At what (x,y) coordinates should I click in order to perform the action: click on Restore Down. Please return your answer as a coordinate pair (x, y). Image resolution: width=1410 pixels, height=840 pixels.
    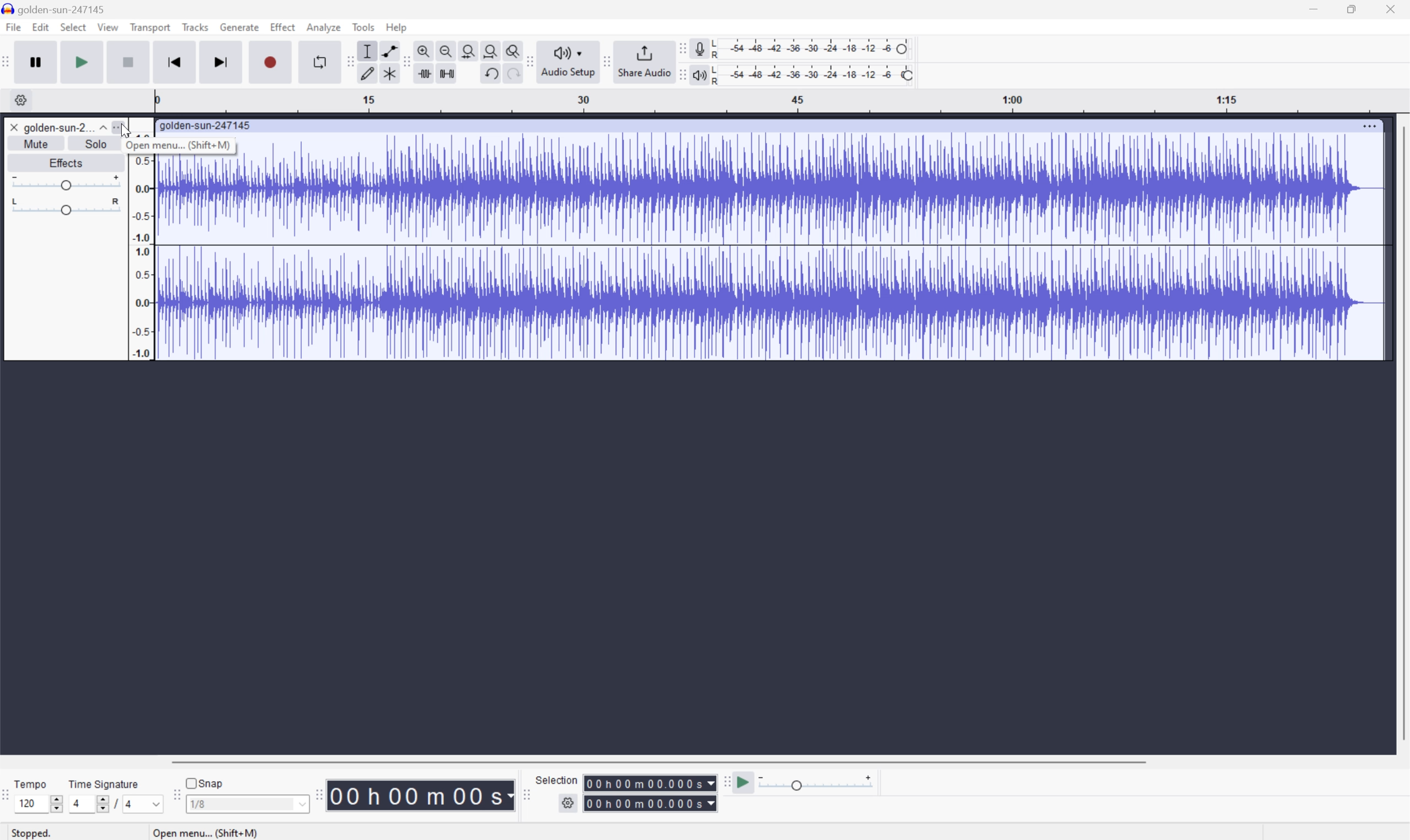
    Looking at the image, I should click on (1351, 8).